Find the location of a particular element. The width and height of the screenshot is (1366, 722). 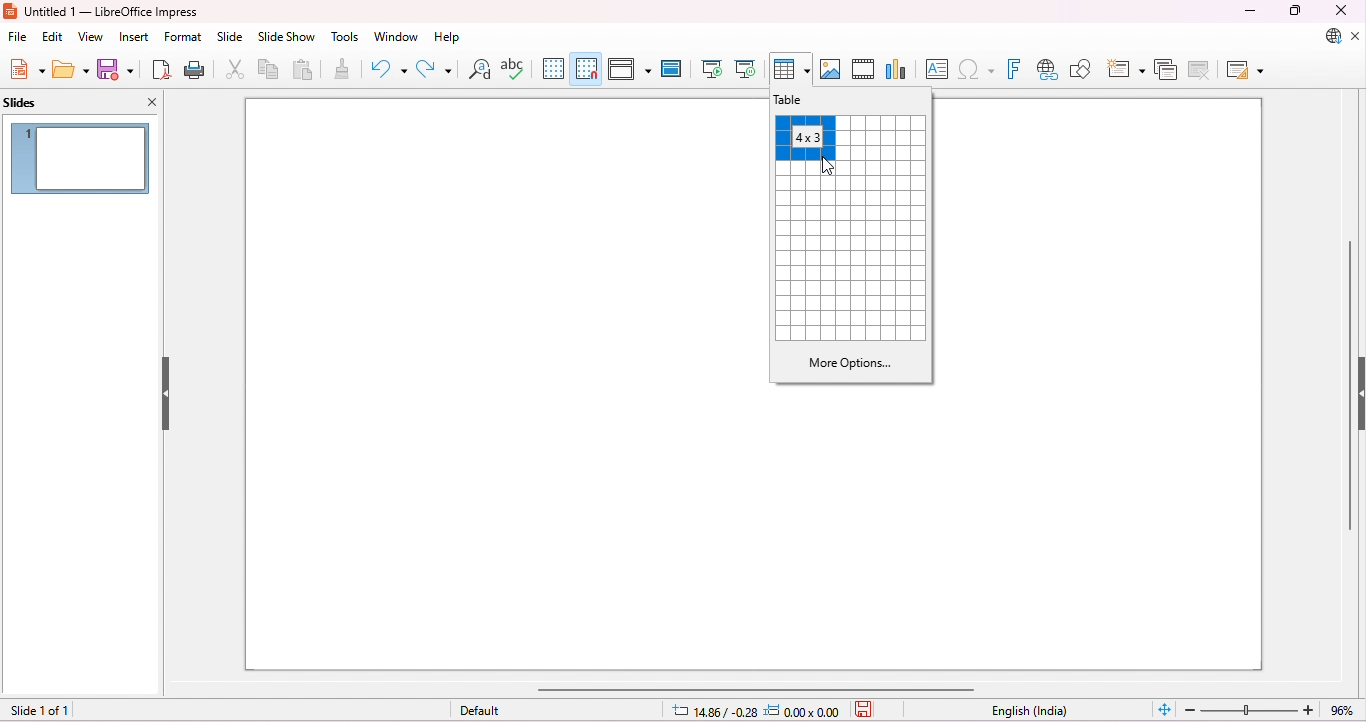

slideshow is located at coordinates (286, 37).